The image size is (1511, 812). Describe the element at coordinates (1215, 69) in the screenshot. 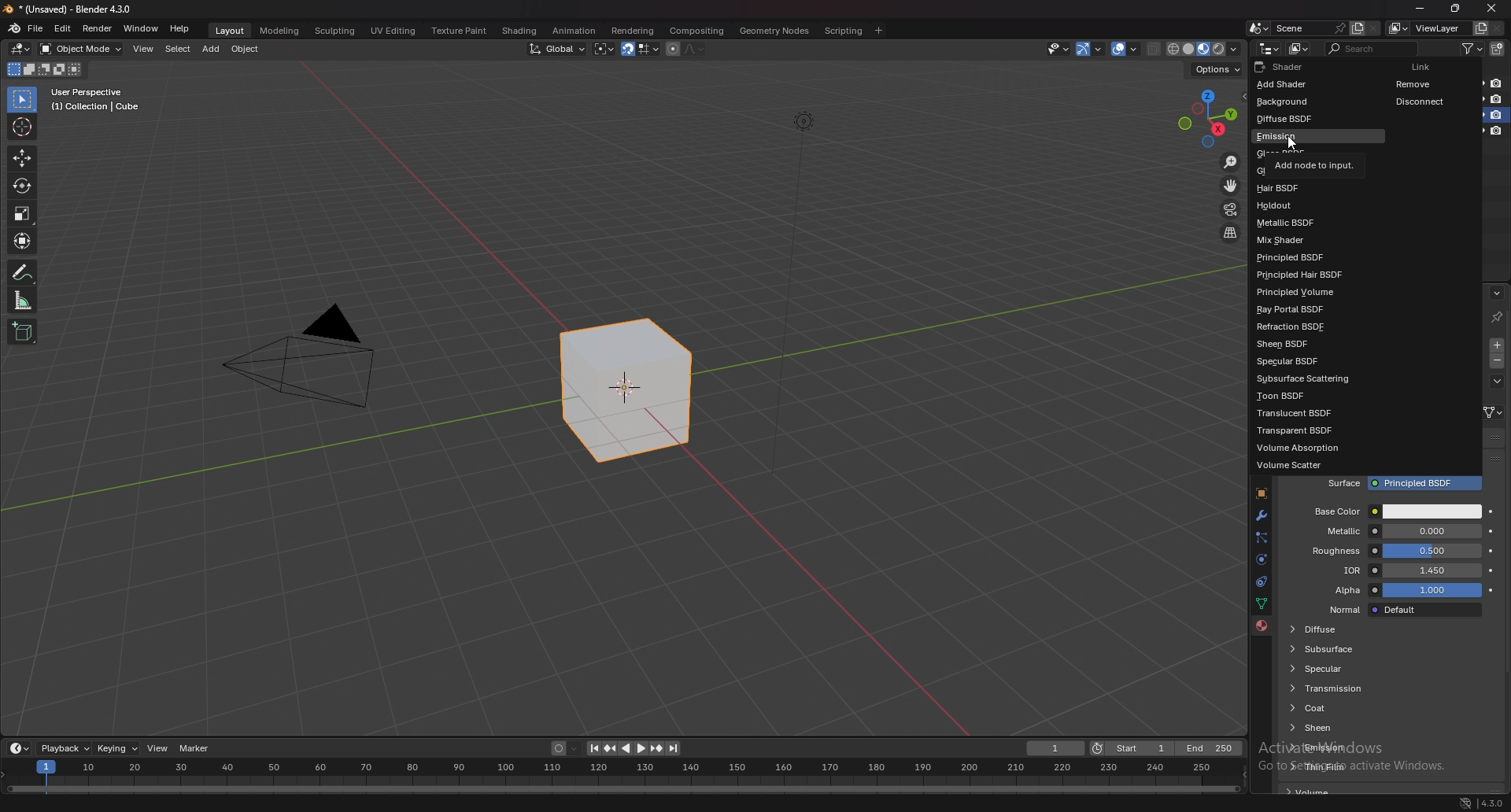

I see `options` at that location.